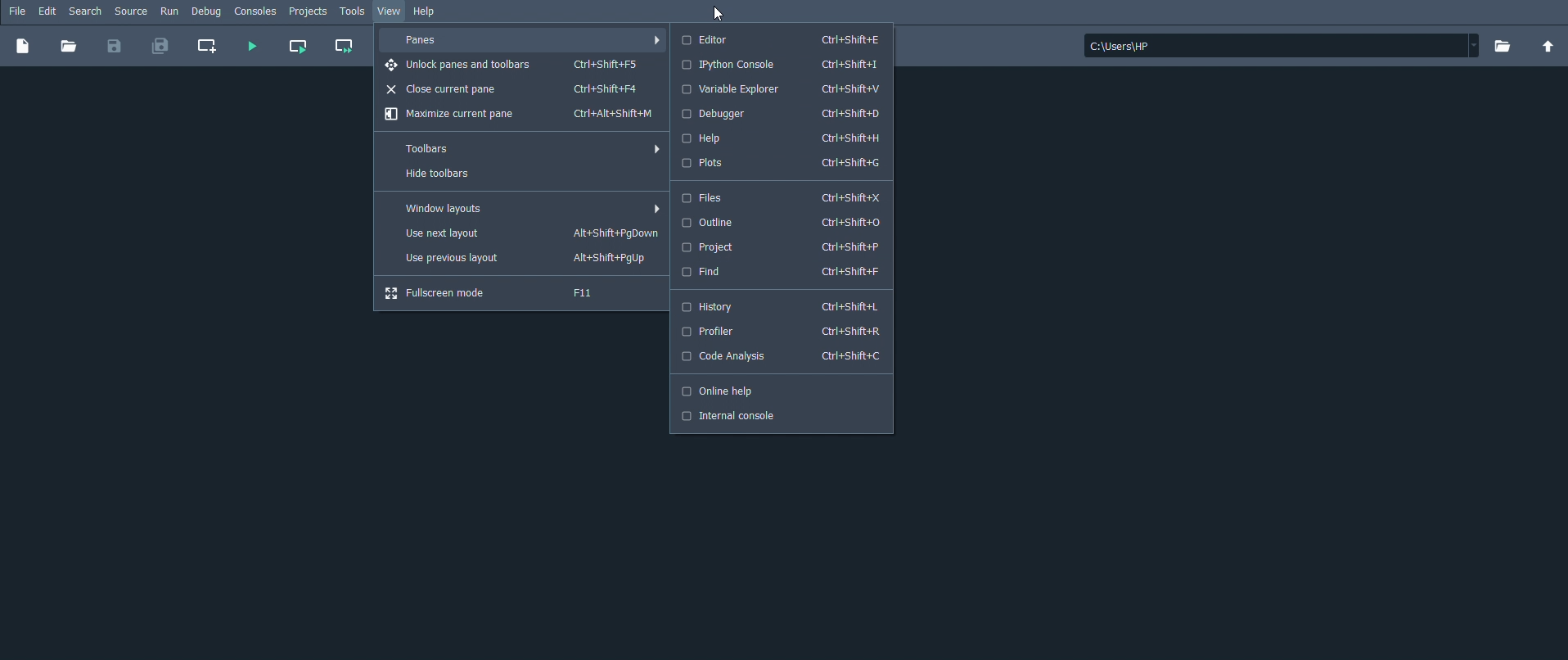 This screenshot has height=660, width=1568. Describe the element at coordinates (523, 149) in the screenshot. I see `Toolbars` at that location.